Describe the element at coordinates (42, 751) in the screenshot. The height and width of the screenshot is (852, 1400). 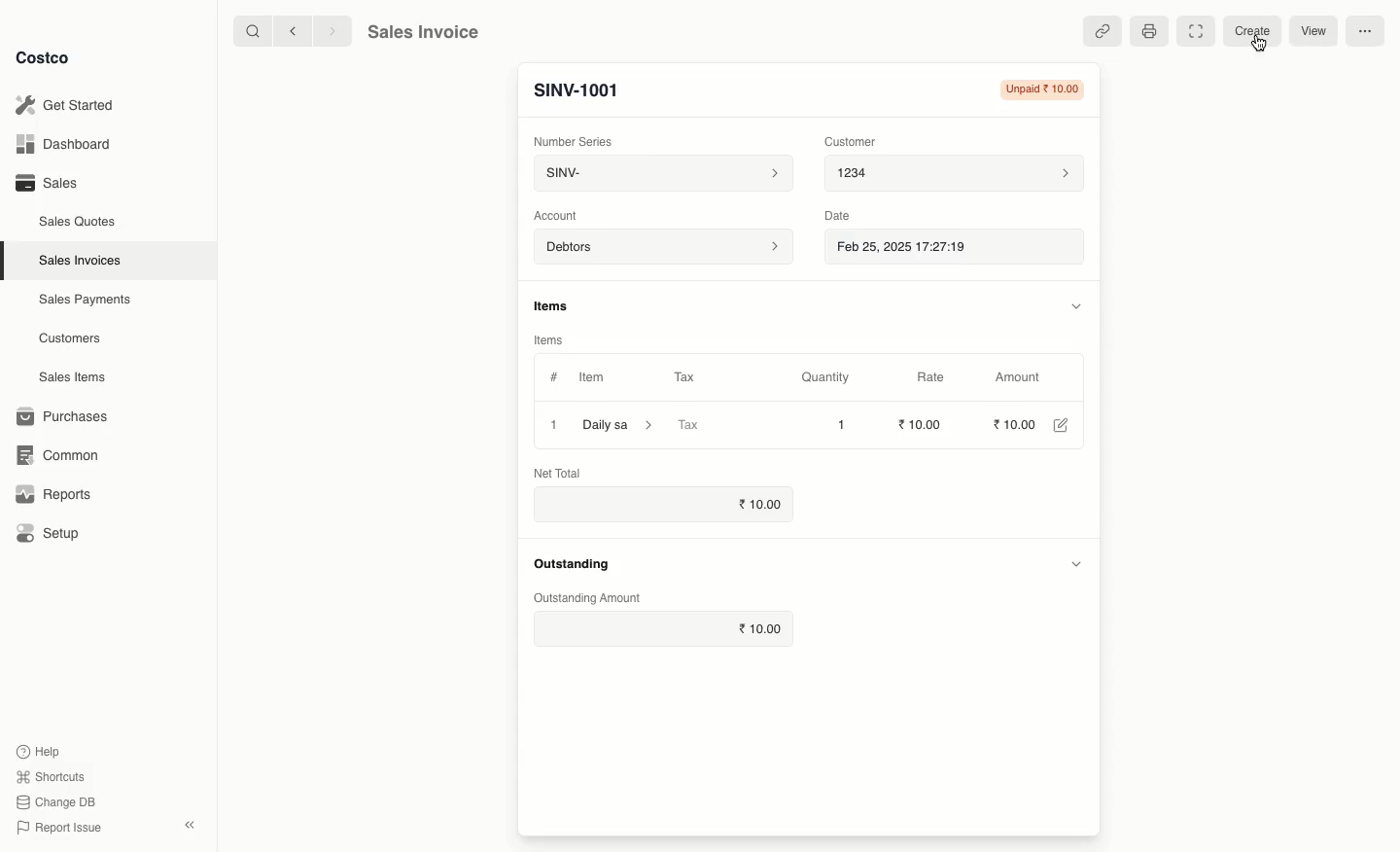
I see `Help` at that location.